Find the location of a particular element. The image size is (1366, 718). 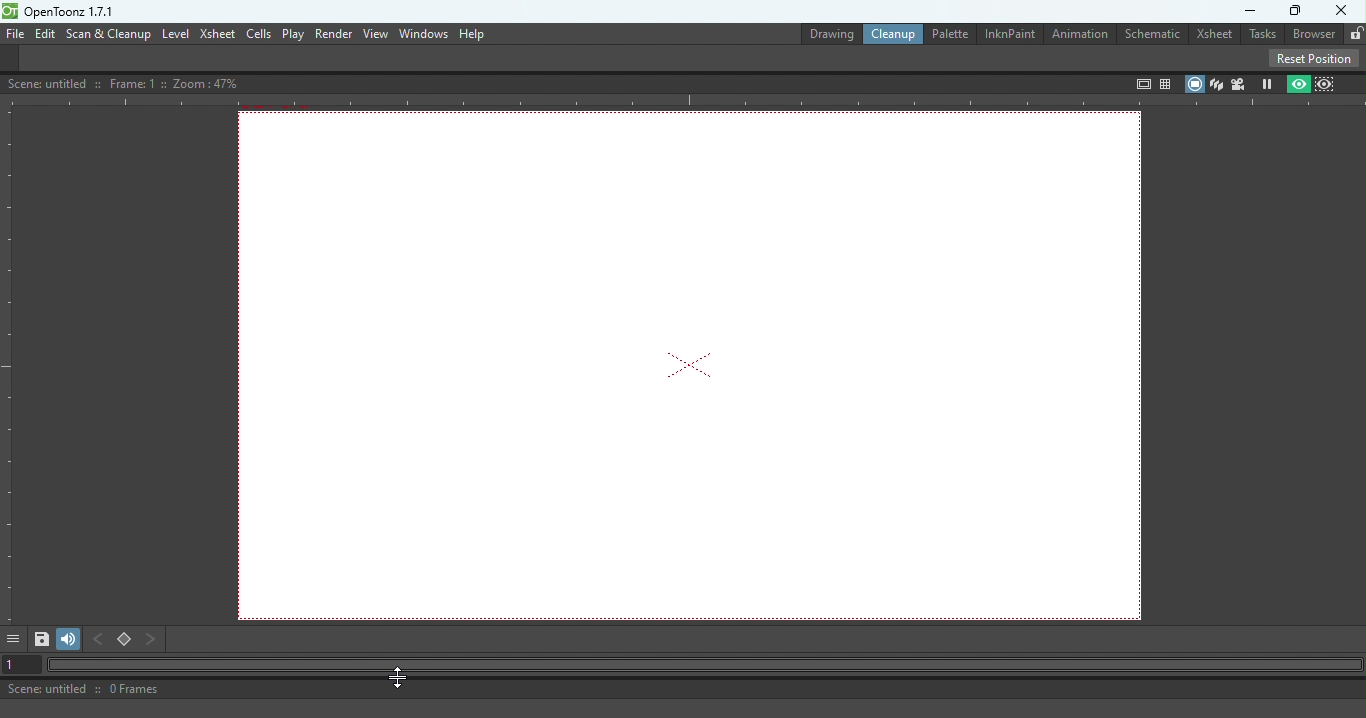

Horizontal ruler is located at coordinates (683, 102).